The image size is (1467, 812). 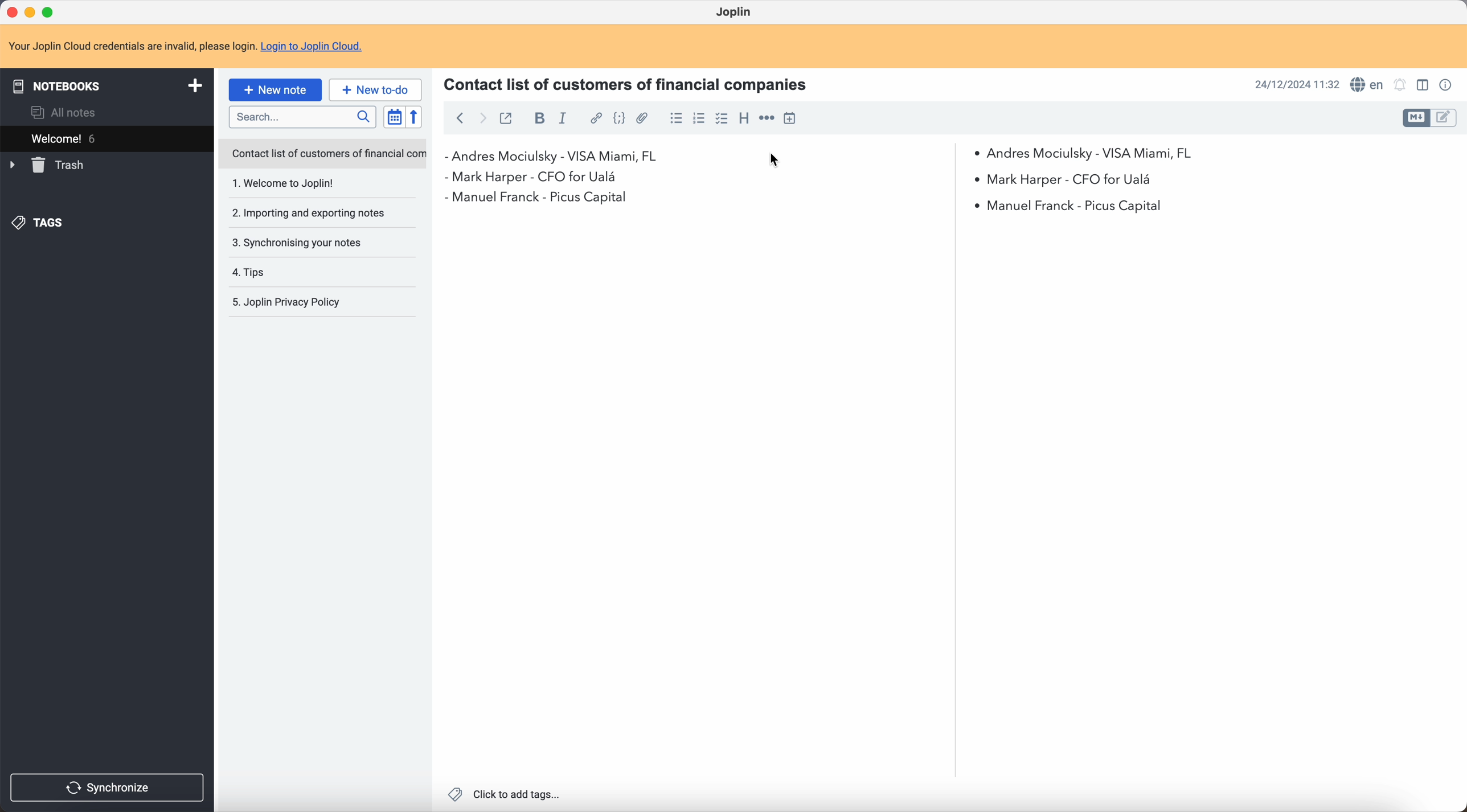 I want to click on spell checker, so click(x=1367, y=84).